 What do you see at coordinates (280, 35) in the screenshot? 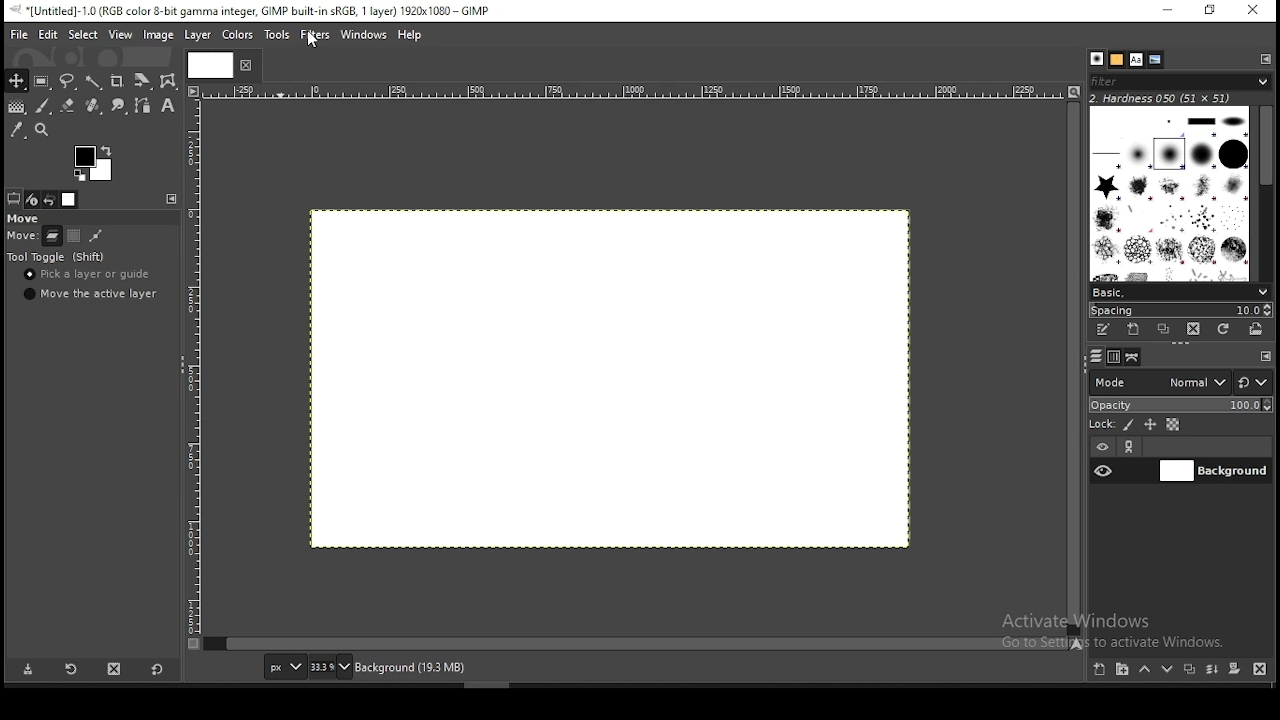
I see `tools` at bounding box center [280, 35].